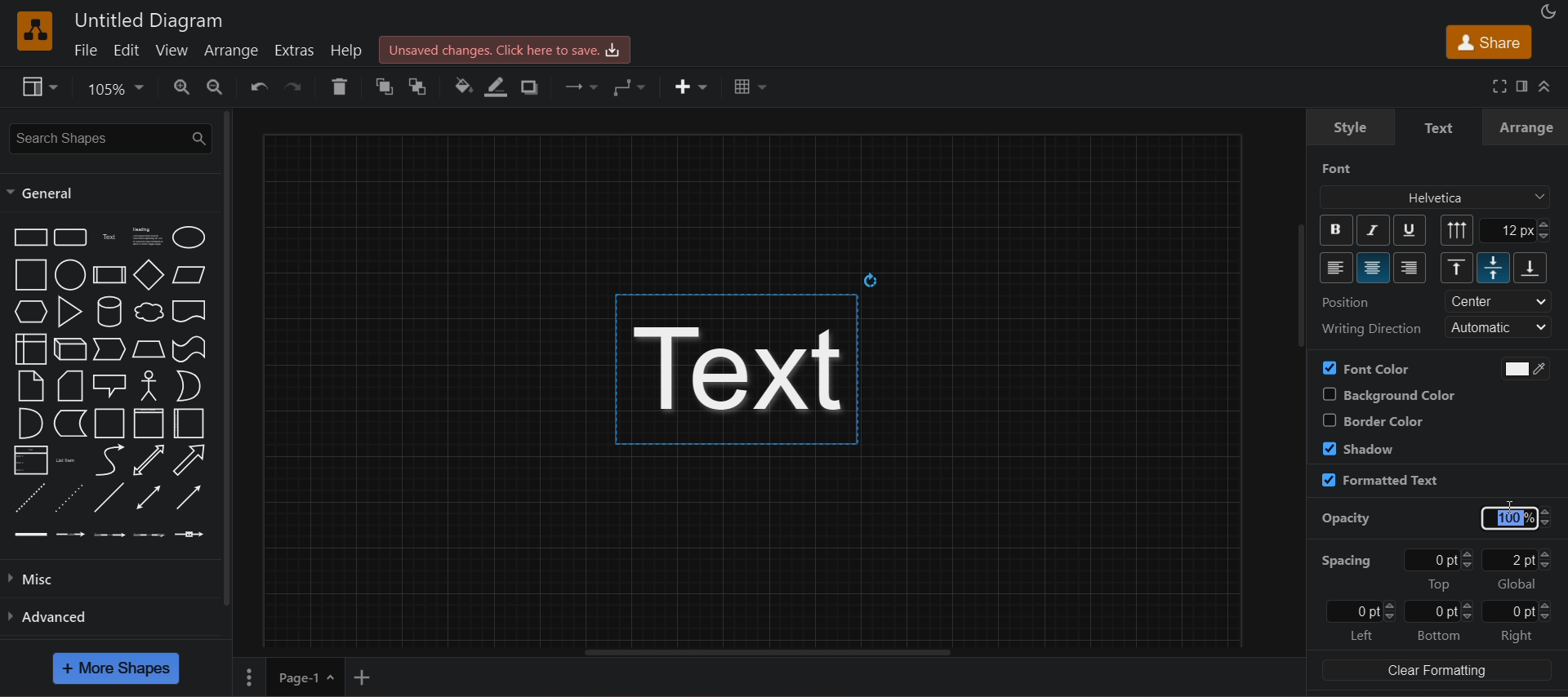  I want to click on 0 pt, so click(1519, 611).